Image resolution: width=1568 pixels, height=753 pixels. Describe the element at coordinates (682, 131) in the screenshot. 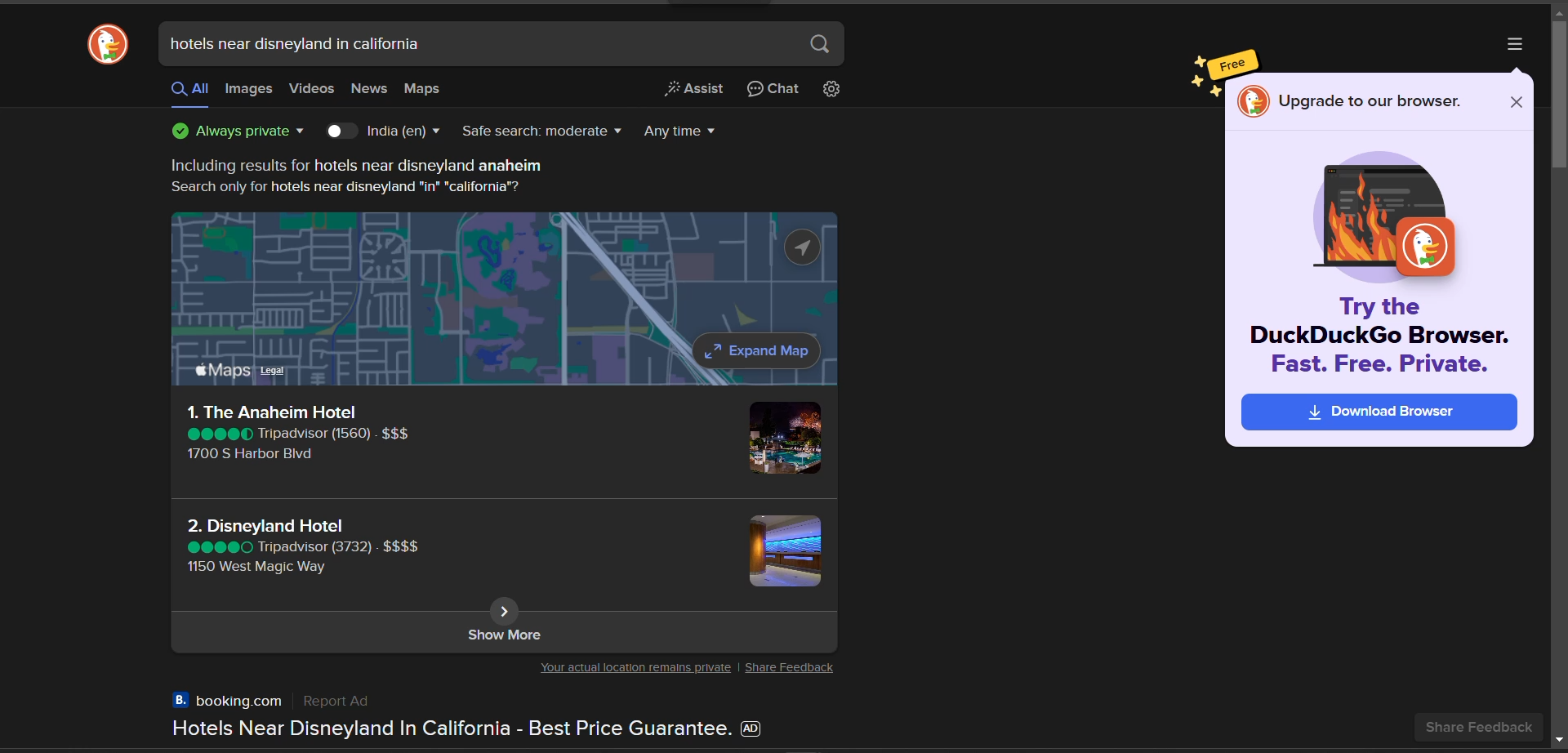

I see `result timeline filter` at that location.